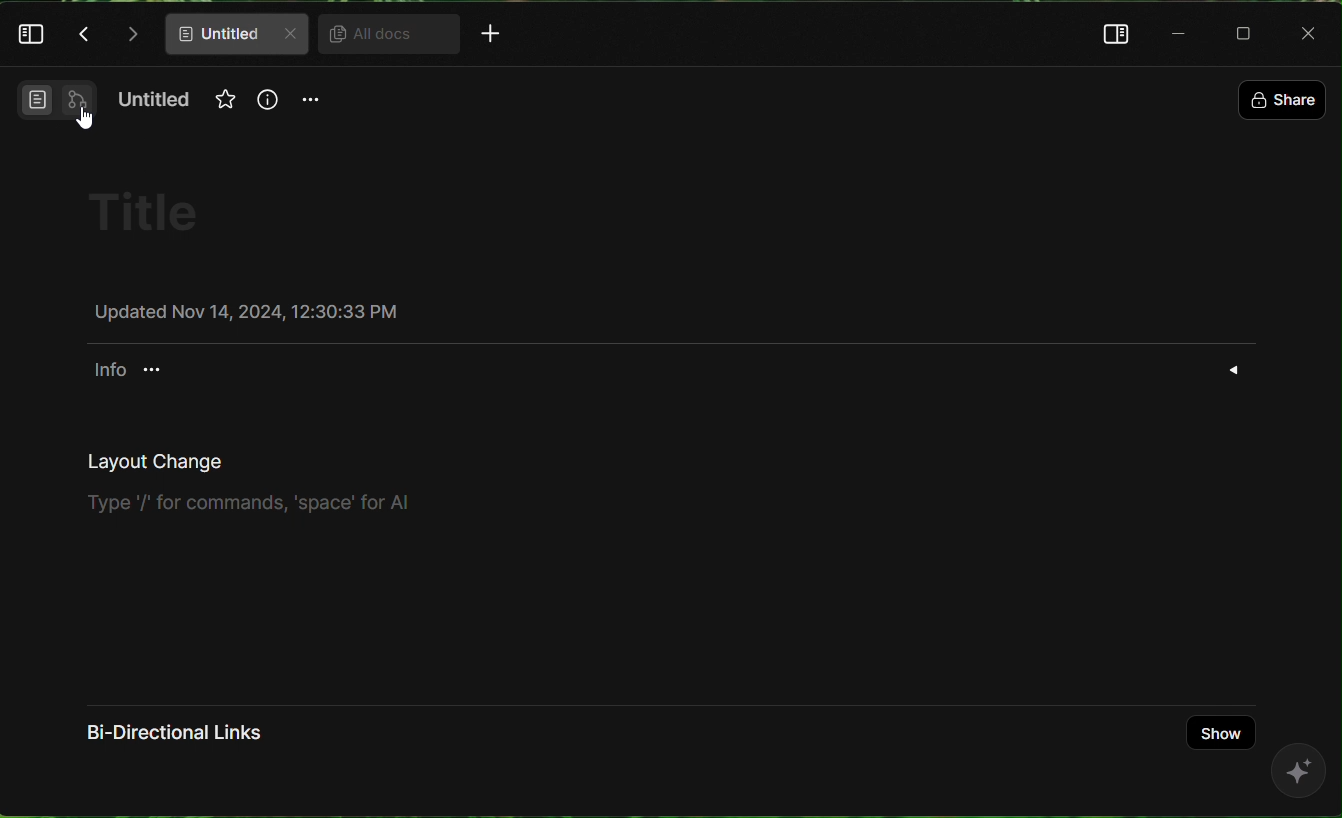 This screenshot has width=1342, height=818. What do you see at coordinates (253, 485) in the screenshot?
I see `layout change` at bounding box center [253, 485].